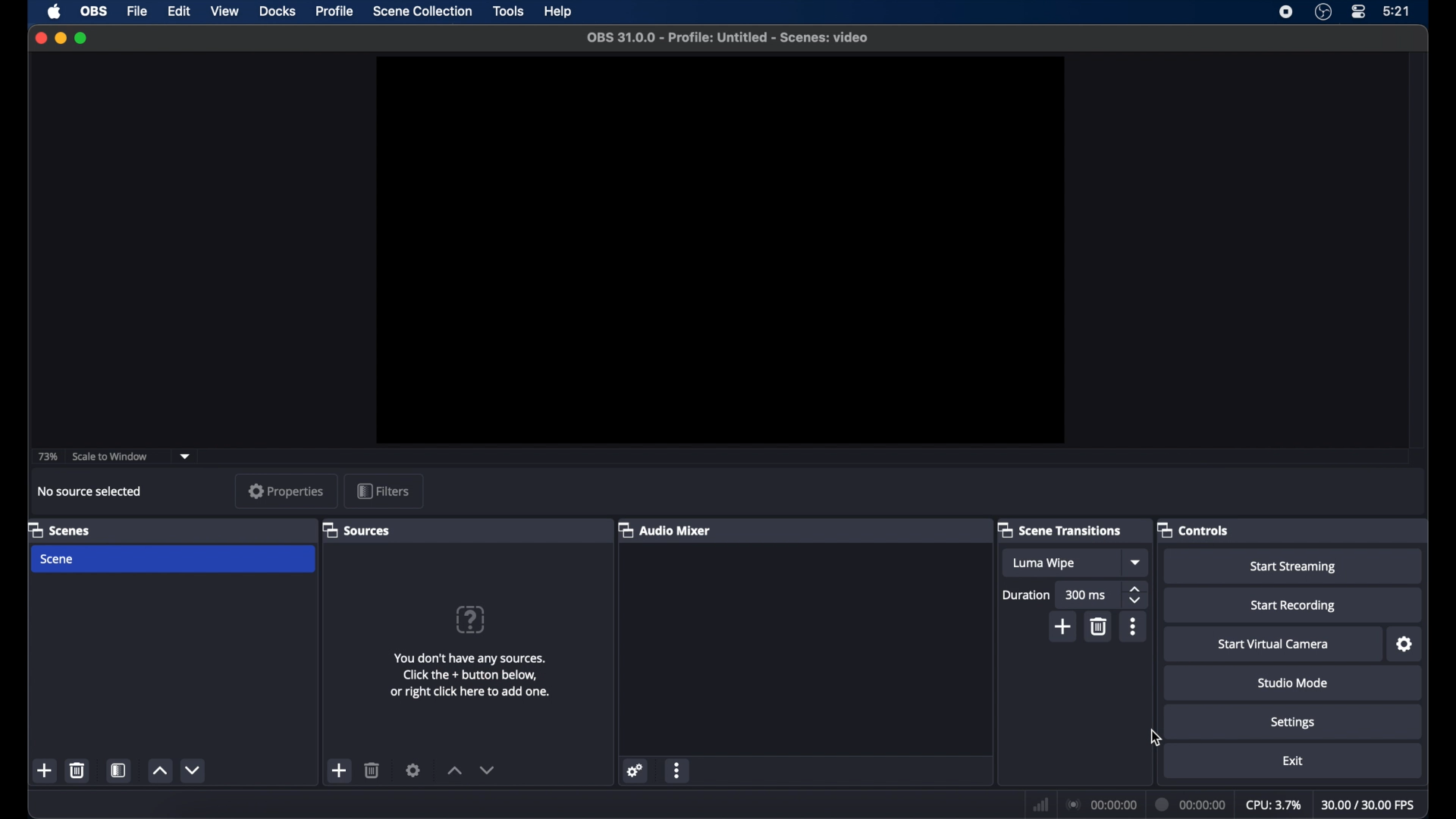 This screenshot has height=819, width=1456. What do you see at coordinates (111, 457) in the screenshot?
I see `scale to window` at bounding box center [111, 457].